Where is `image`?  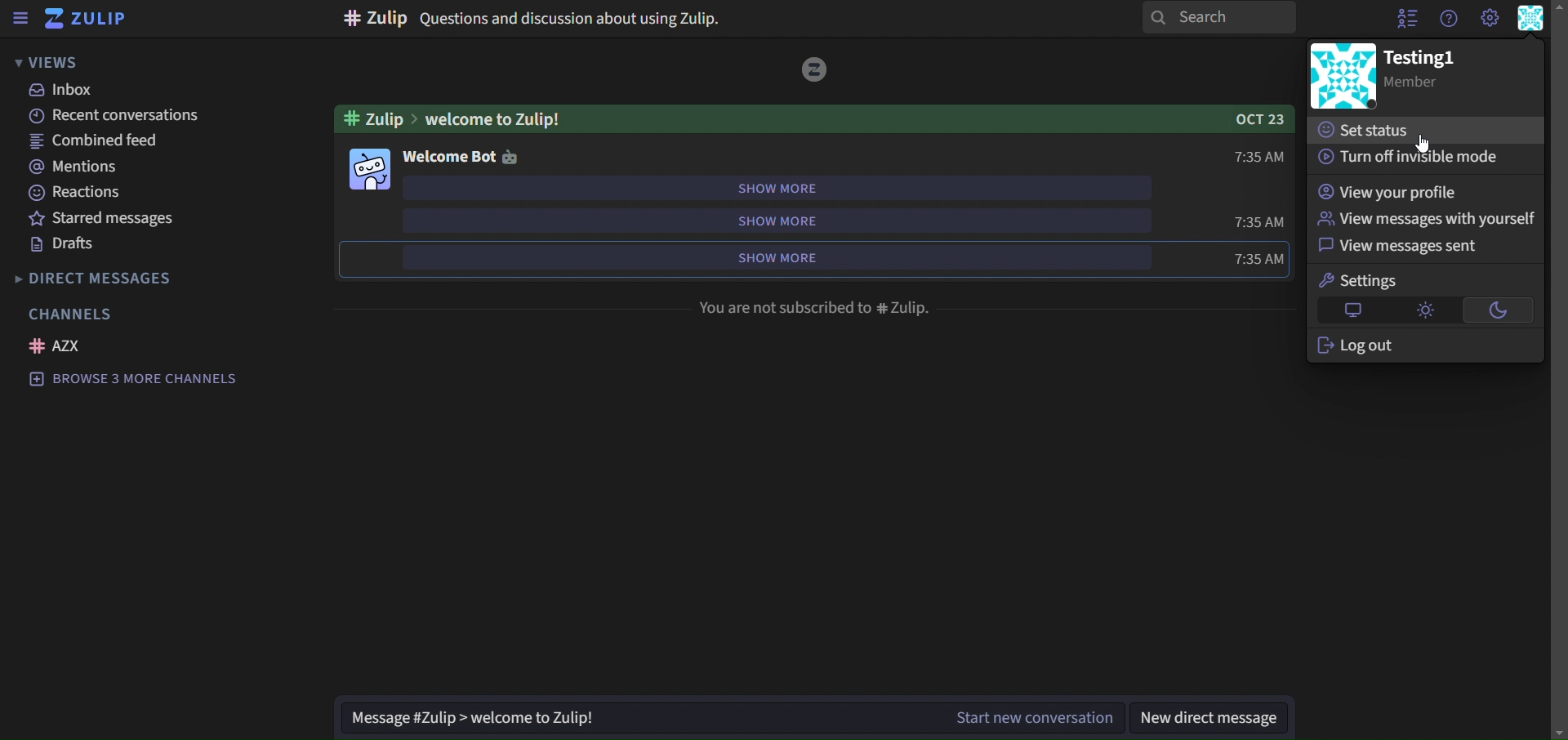
image is located at coordinates (1342, 75).